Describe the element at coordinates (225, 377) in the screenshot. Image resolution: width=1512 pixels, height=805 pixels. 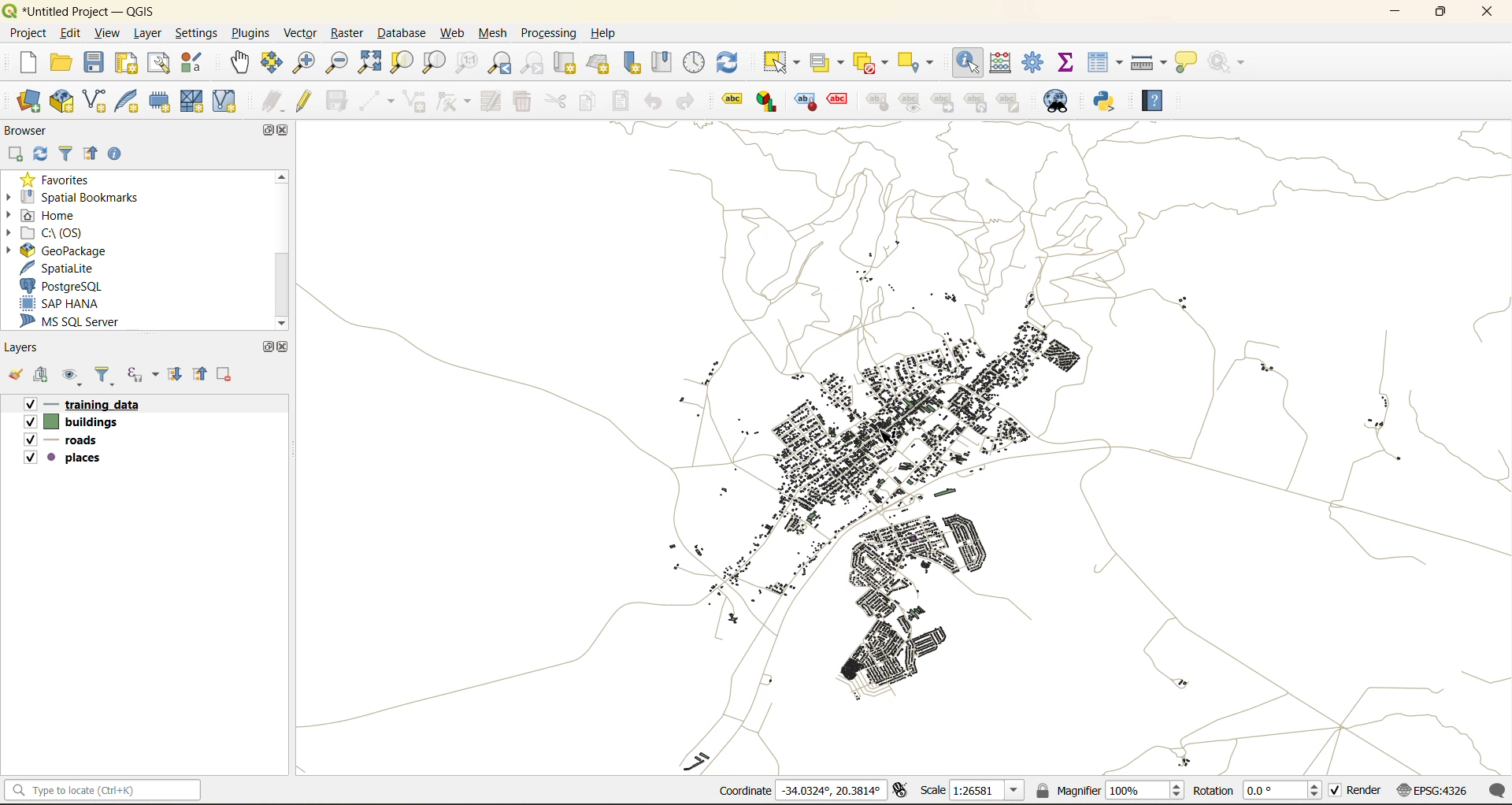
I see `remove` at that location.